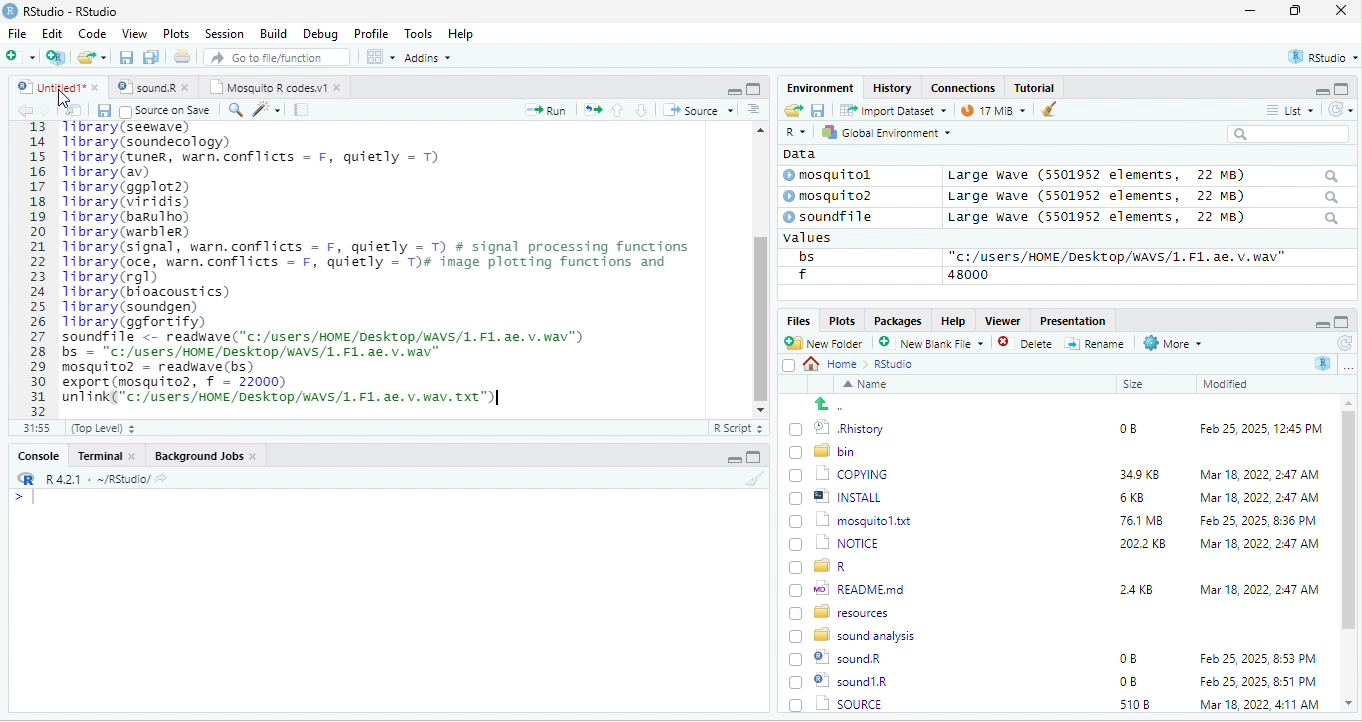  I want to click on ” Go to file/function, so click(278, 59).